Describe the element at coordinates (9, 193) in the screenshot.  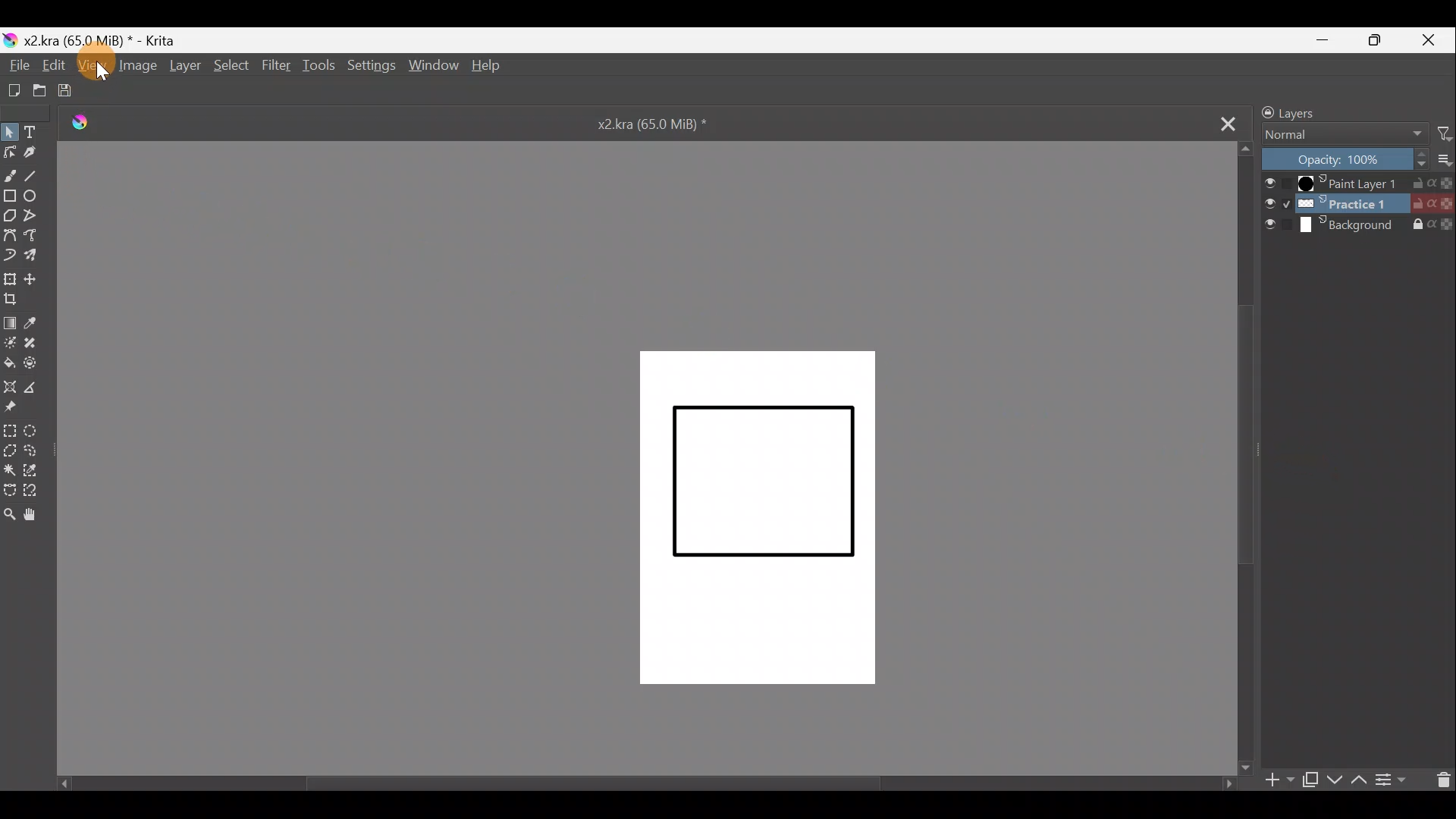
I see `Rectangle tool` at that location.